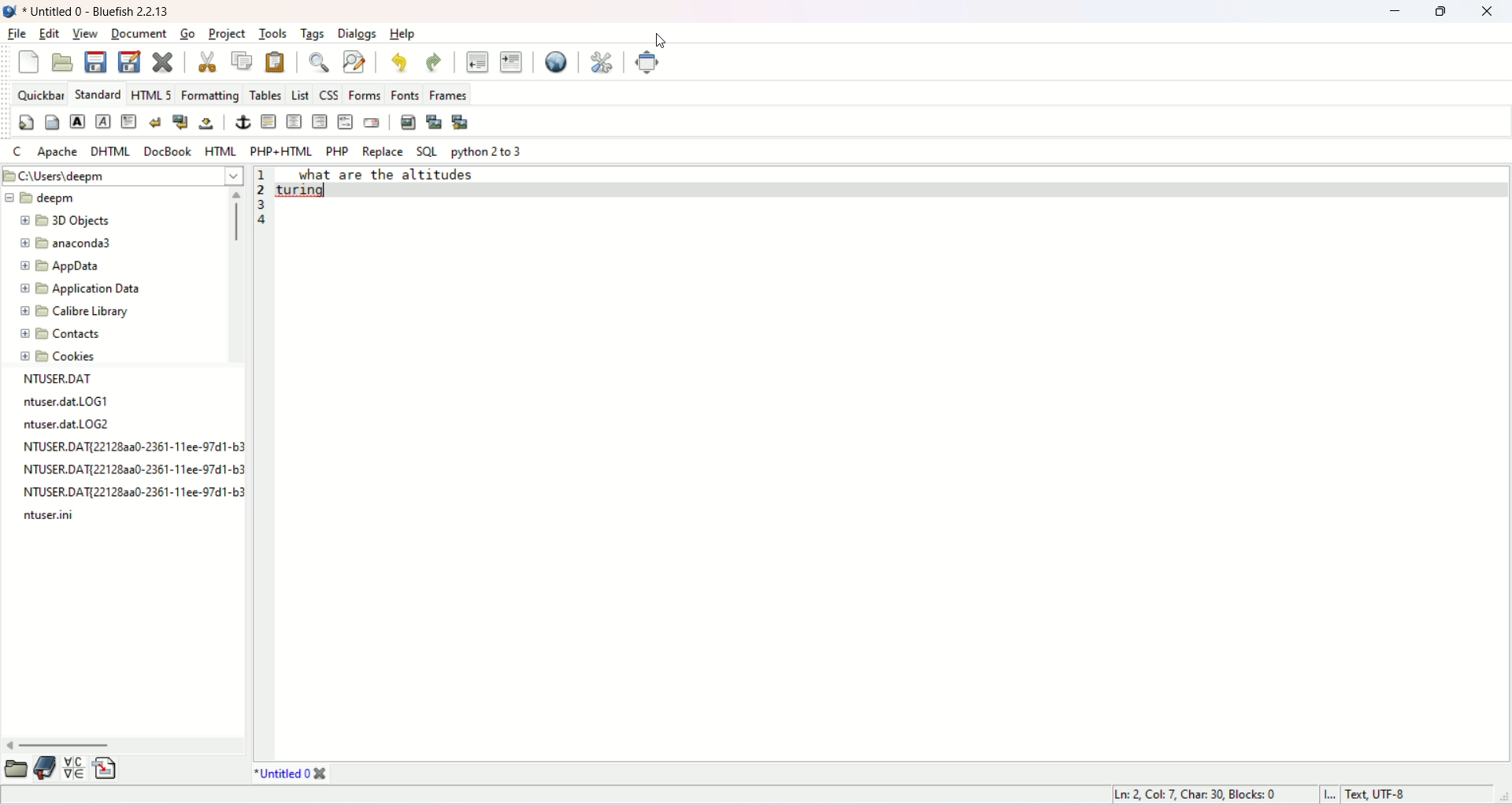  I want to click on insert thumbnail, so click(435, 122).